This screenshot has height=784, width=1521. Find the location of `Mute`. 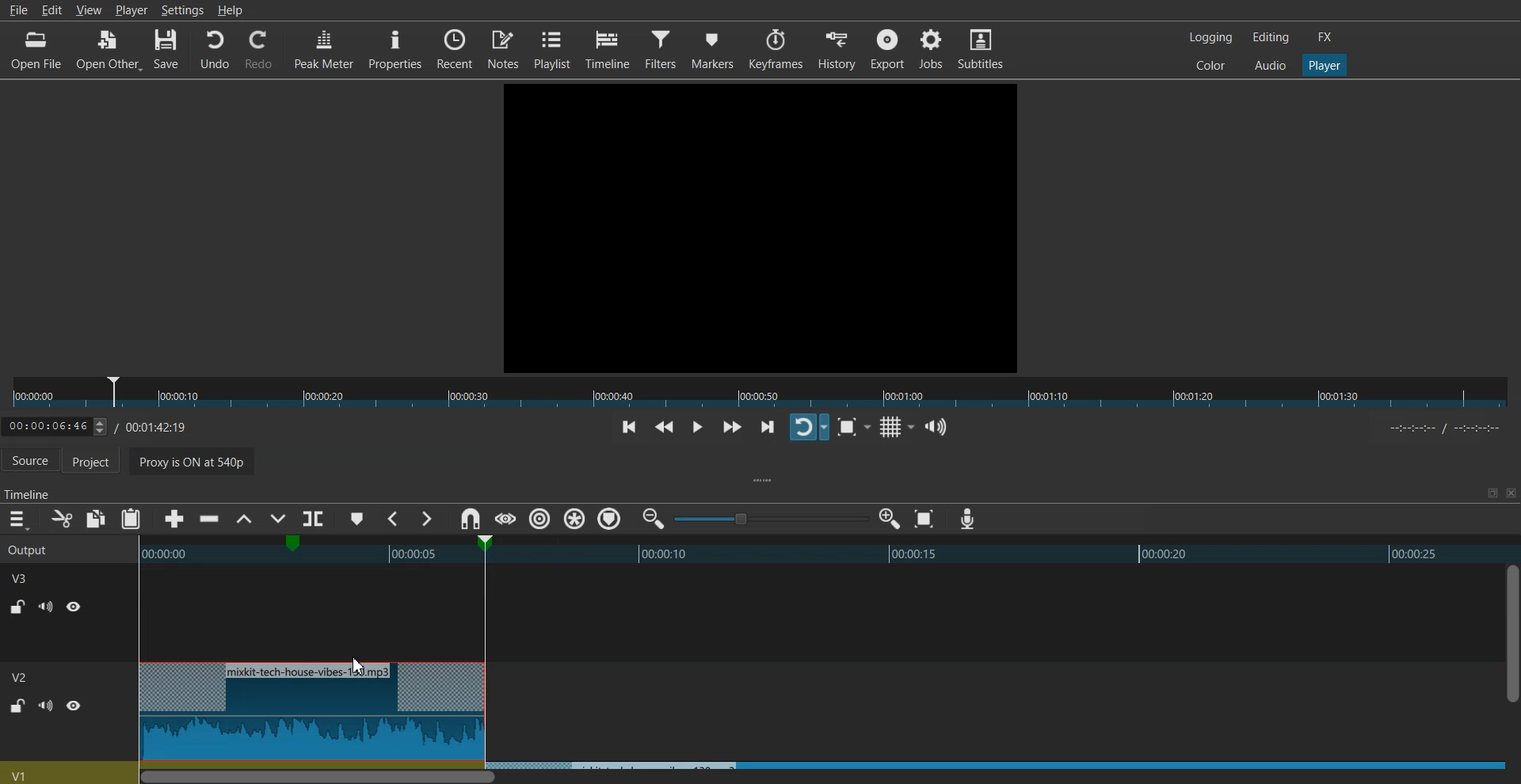

Mute is located at coordinates (46, 607).